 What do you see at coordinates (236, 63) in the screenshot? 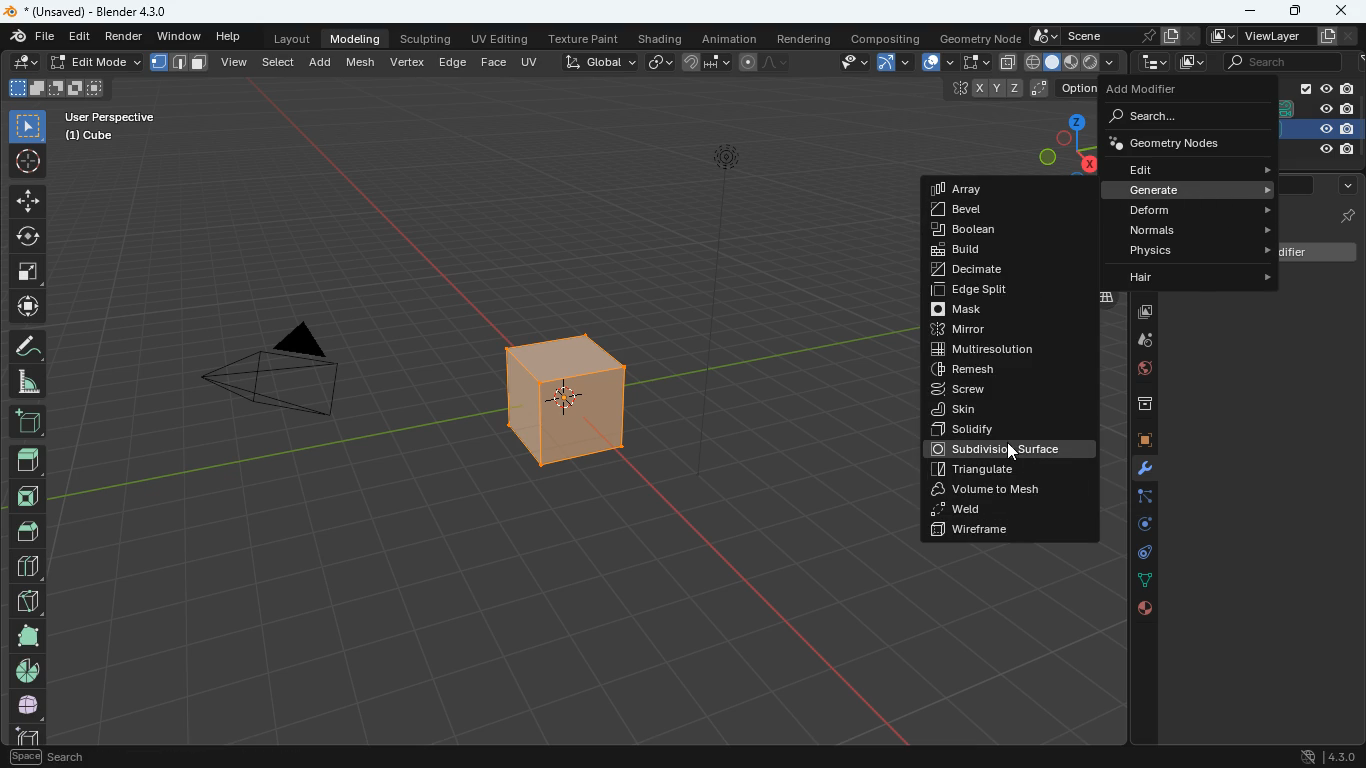
I see `view` at bounding box center [236, 63].